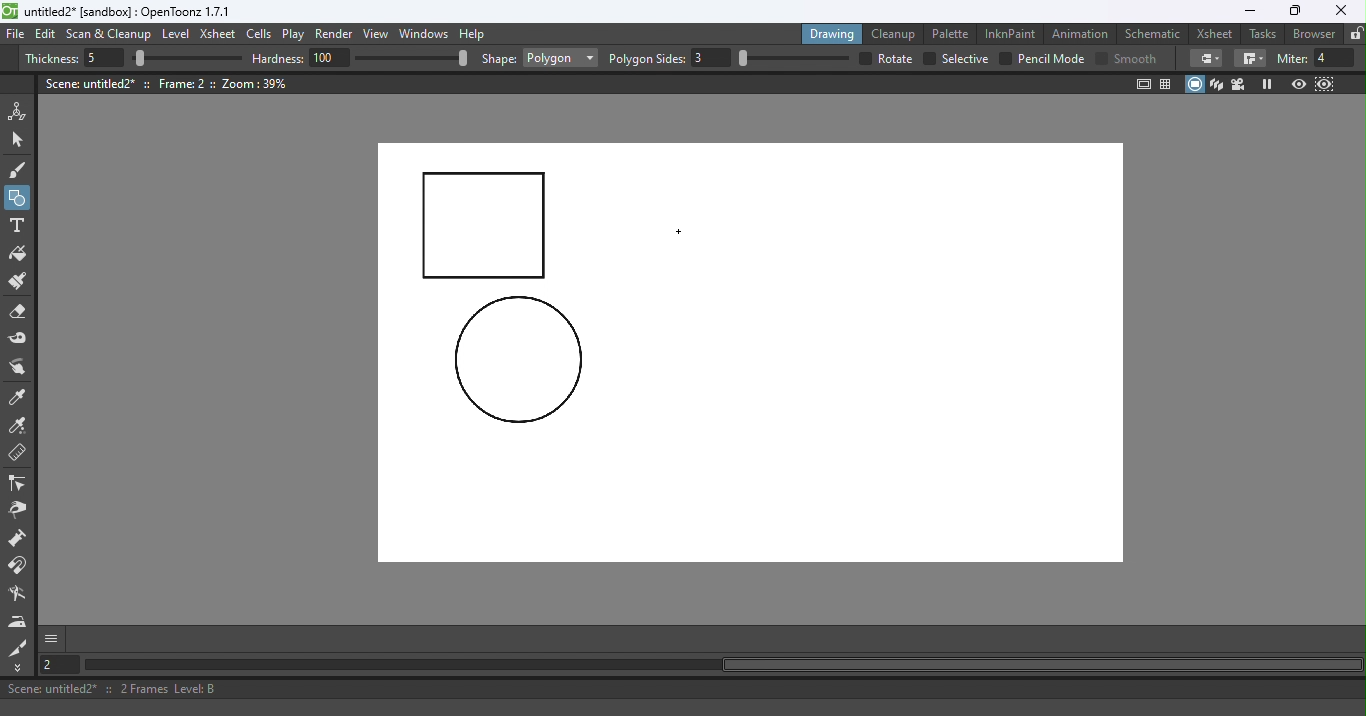 Image resolution: width=1366 pixels, height=716 pixels. I want to click on slider, so click(411, 57).